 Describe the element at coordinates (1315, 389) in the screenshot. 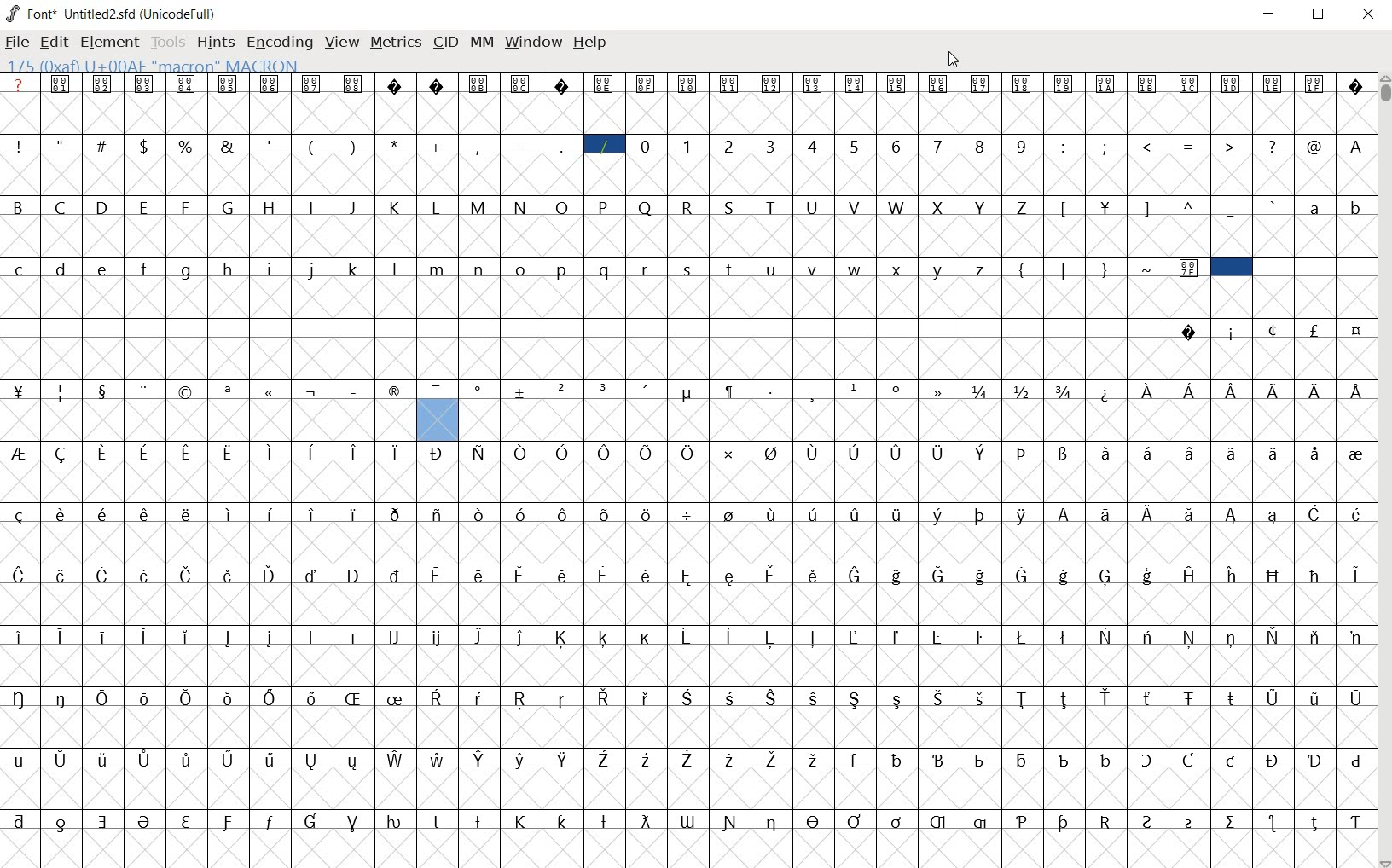

I see `Symbol` at that location.